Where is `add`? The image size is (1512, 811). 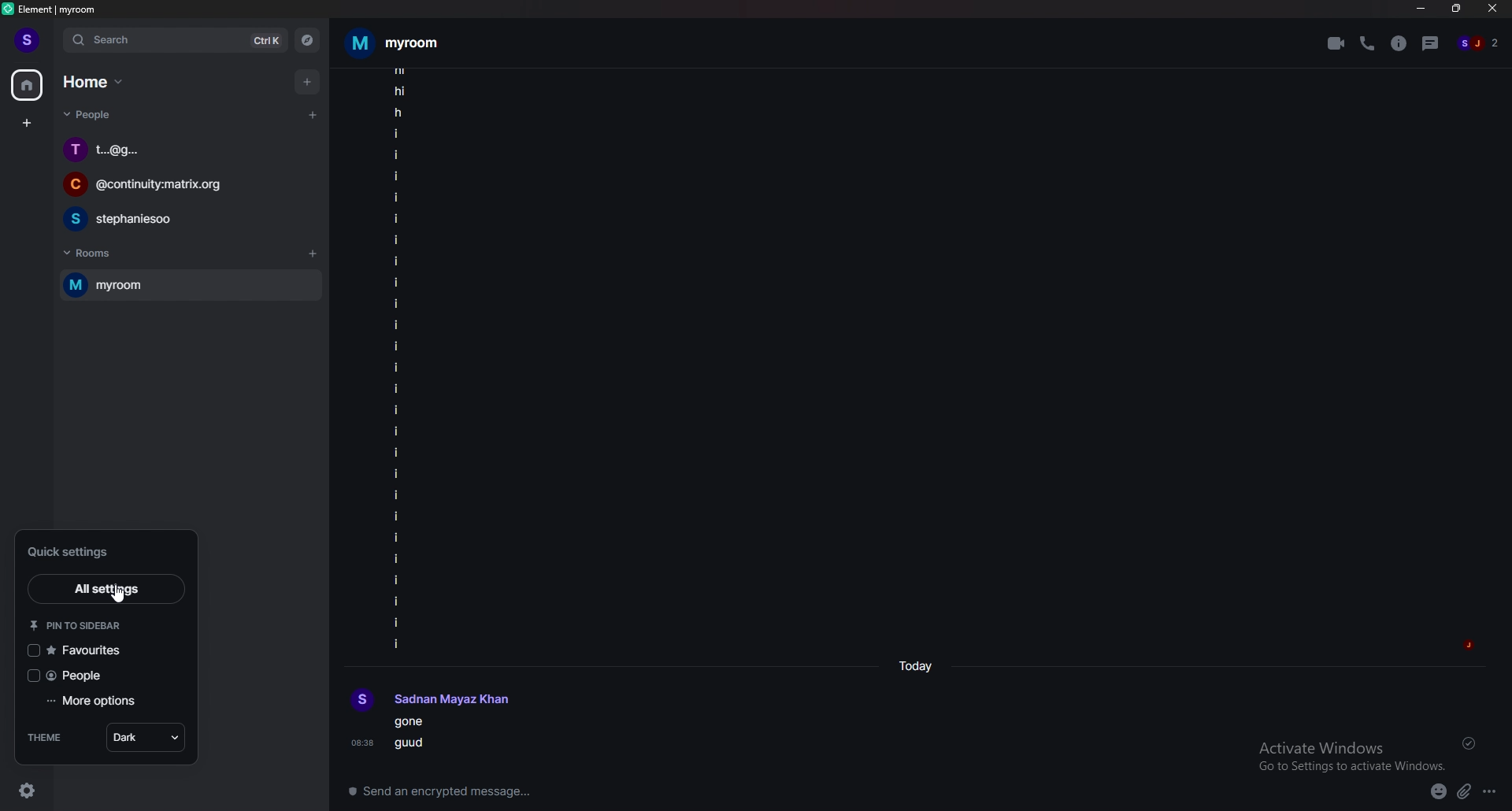 add is located at coordinates (309, 81).